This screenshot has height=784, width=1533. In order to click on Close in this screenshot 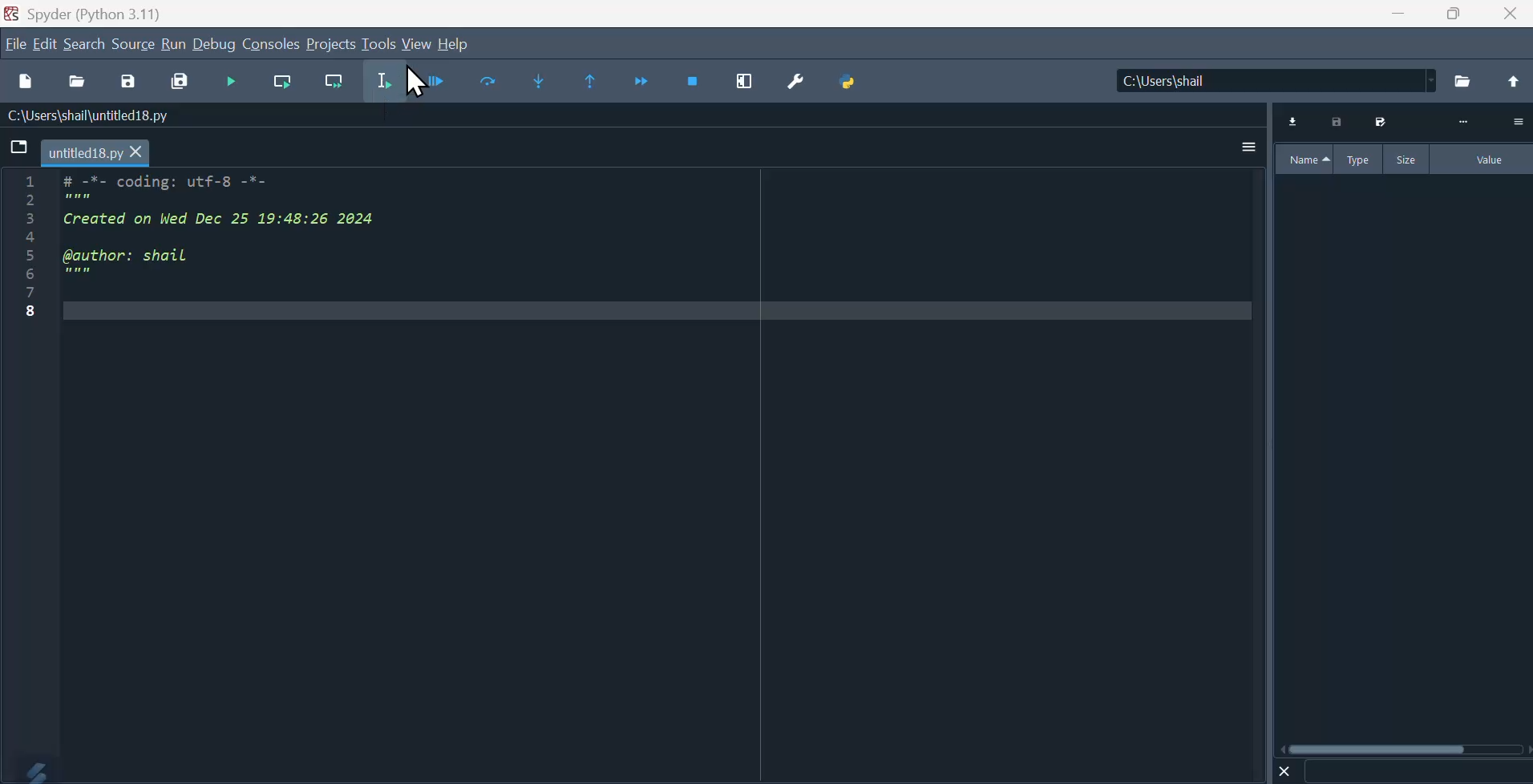, I will do `click(1285, 770)`.